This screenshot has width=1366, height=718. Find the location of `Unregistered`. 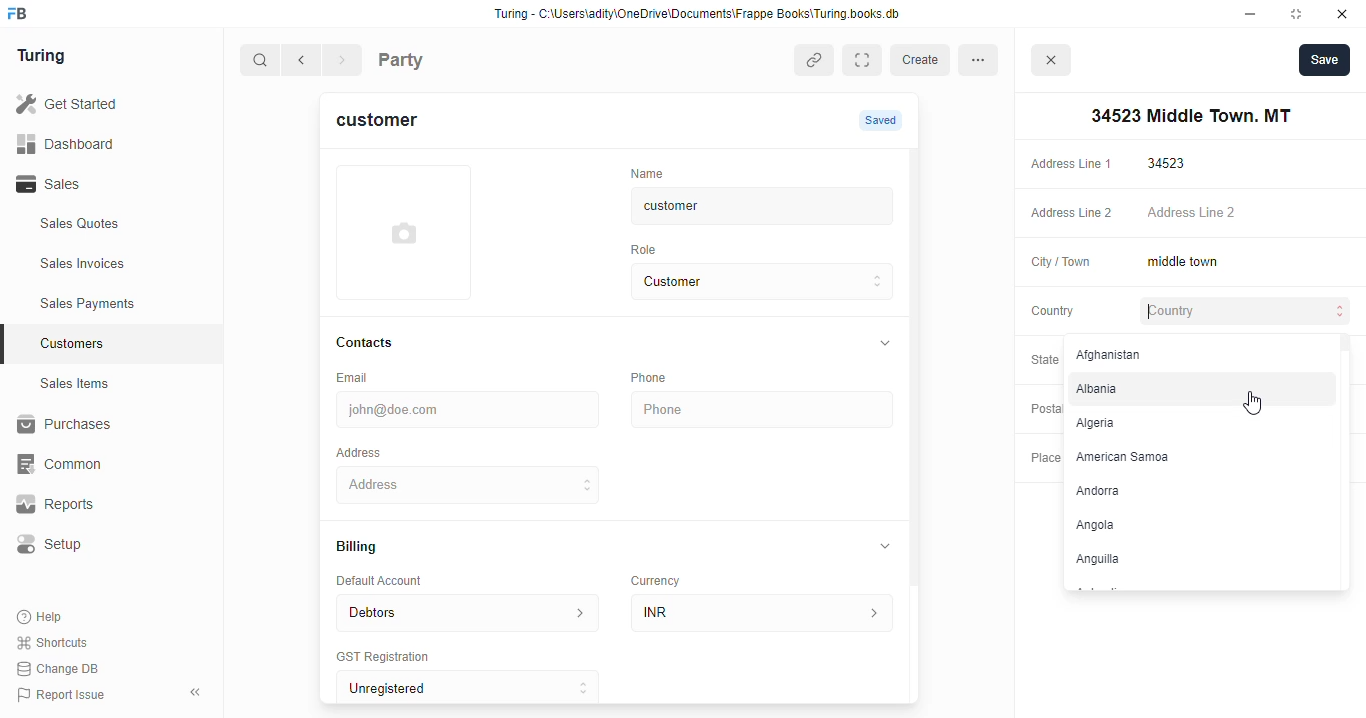

Unregistered is located at coordinates (477, 688).